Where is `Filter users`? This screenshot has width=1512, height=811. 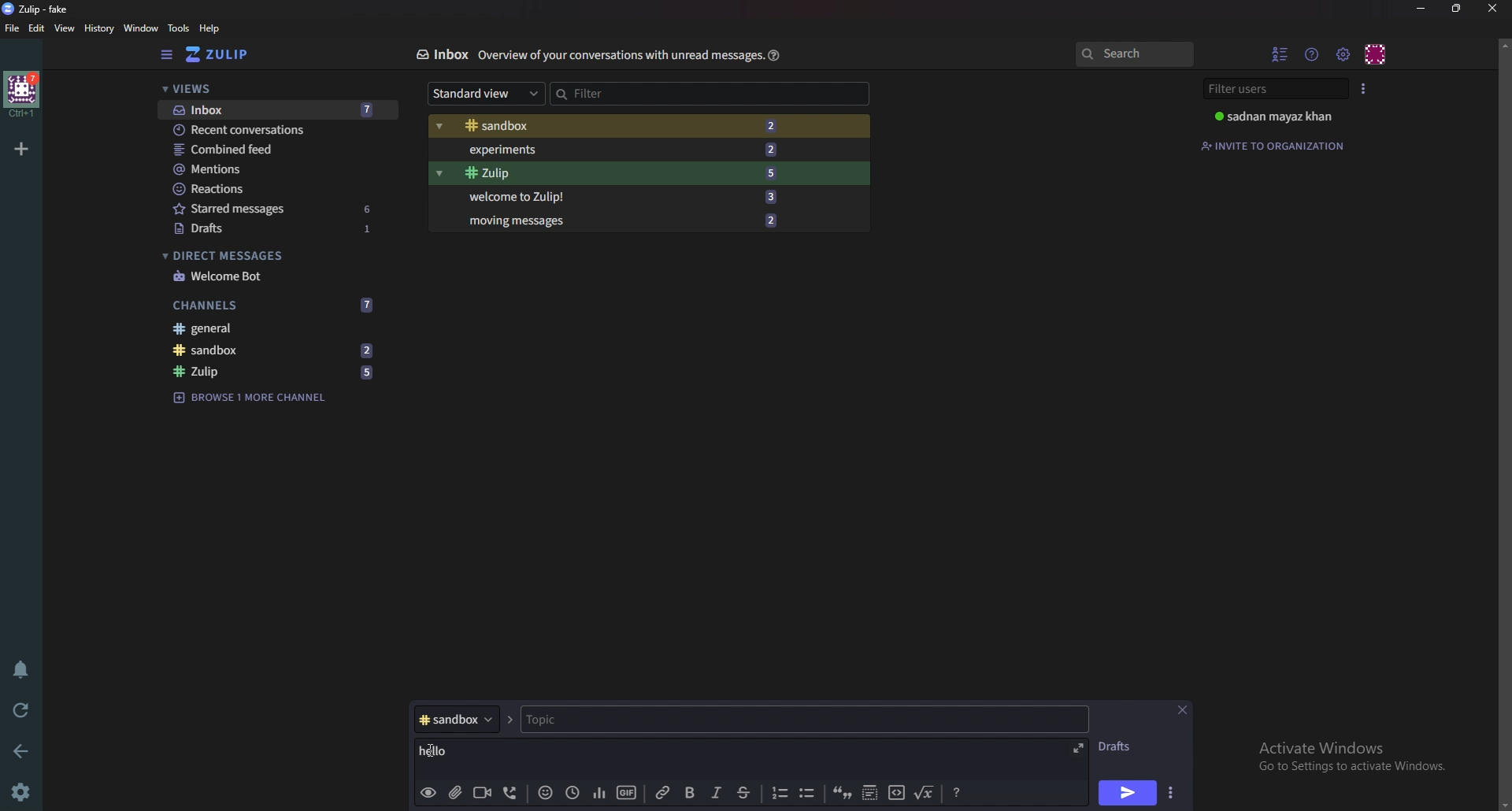
Filter users is located at coordinates (1271, 88).